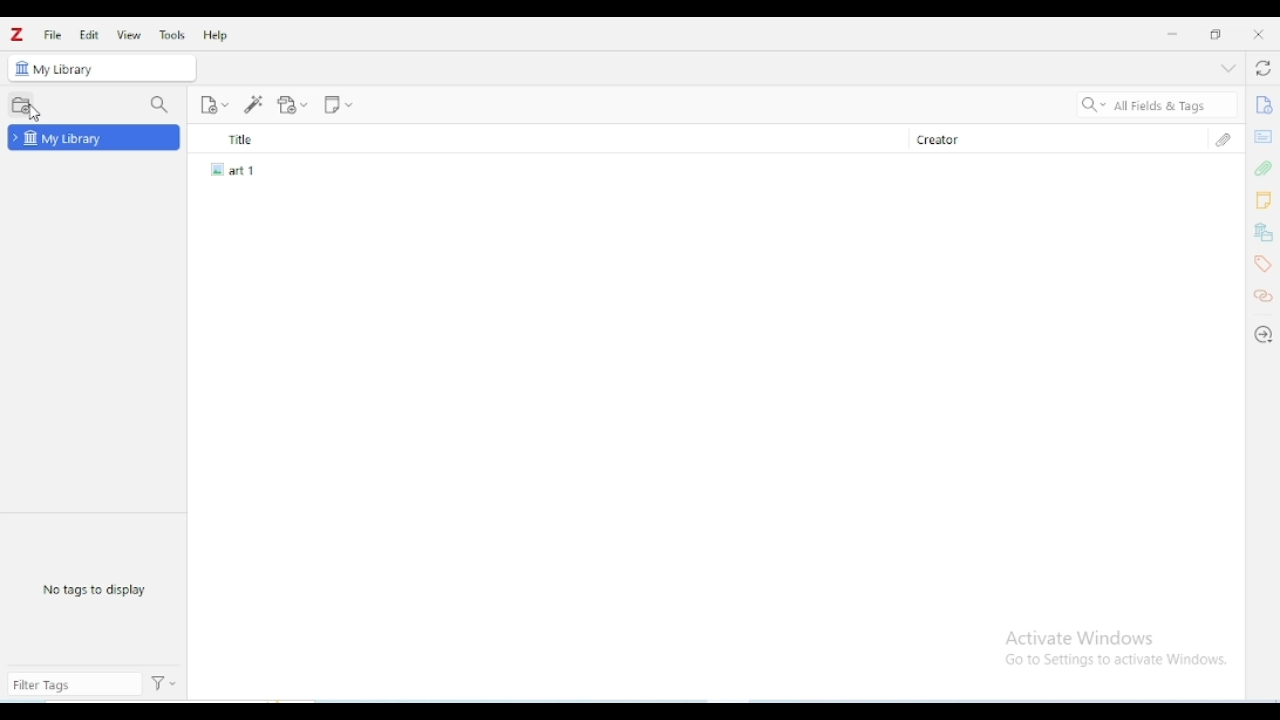  Describe the element at coordinates (1263, 264) in the screenshot. I see `tags` at that location.